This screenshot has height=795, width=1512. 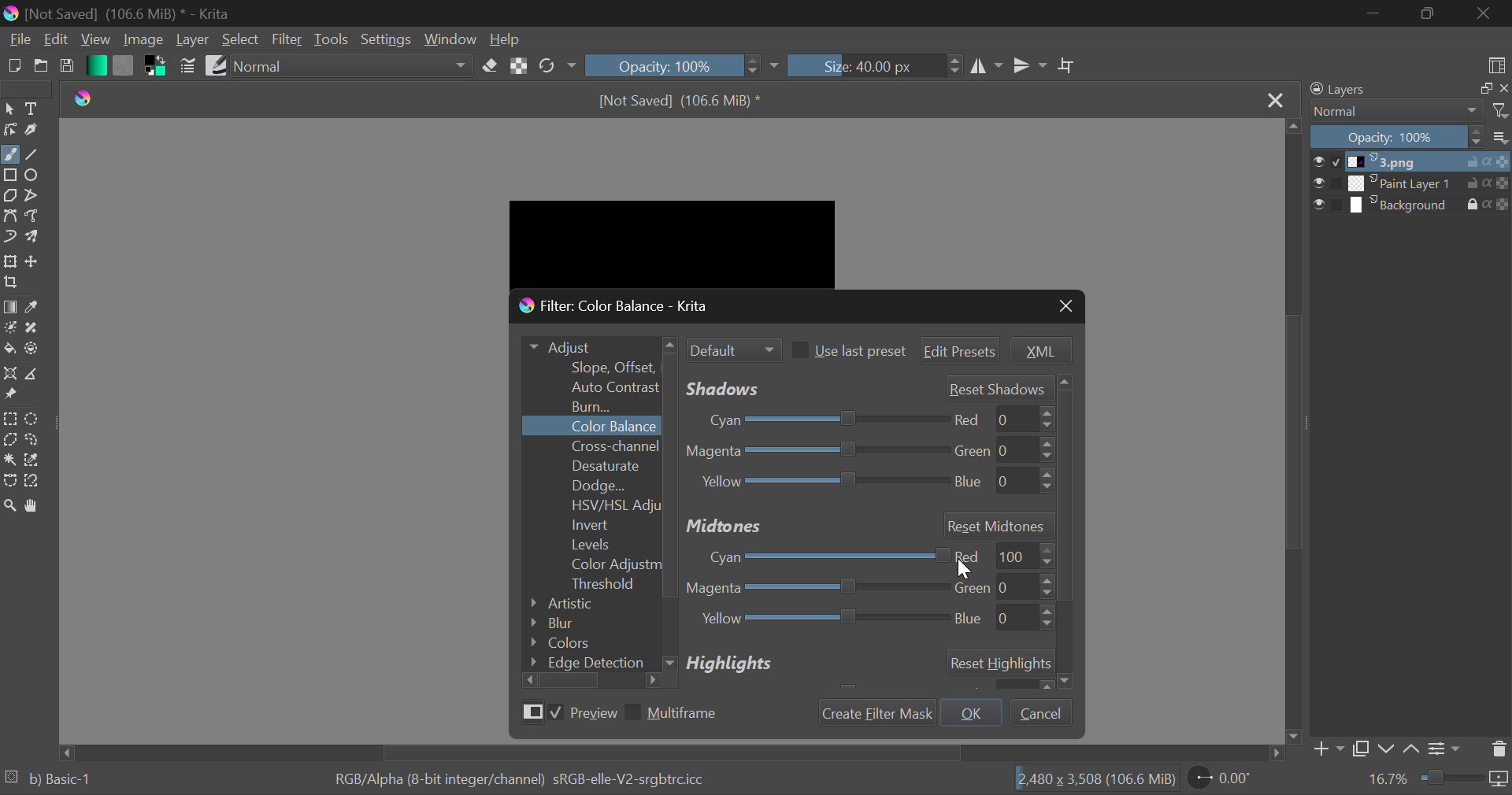 I want to click on blue, so click(x=1002, y=620).